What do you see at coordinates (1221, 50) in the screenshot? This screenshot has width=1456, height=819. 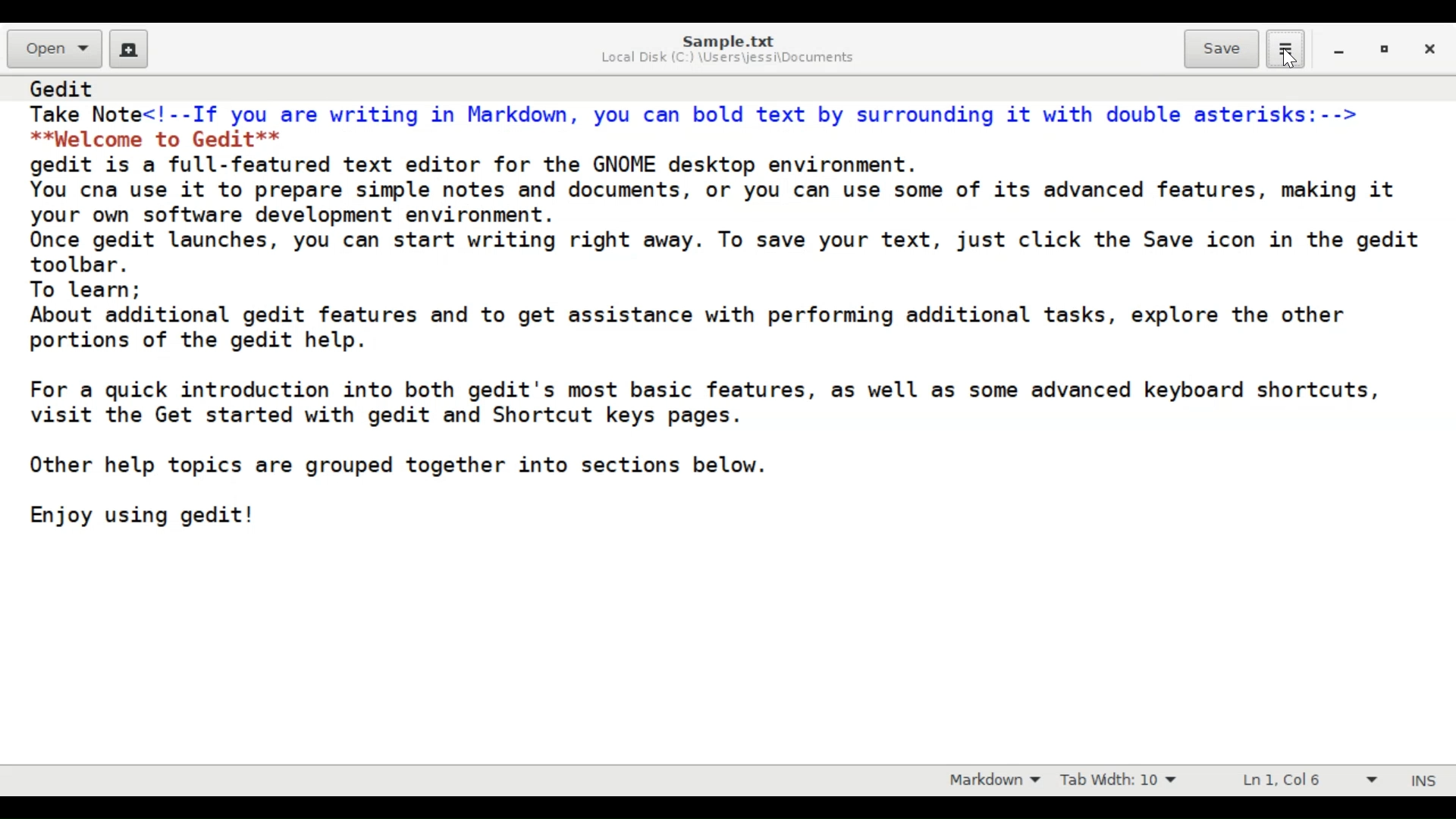 I see `Save` at bounding box center [1221, 50].